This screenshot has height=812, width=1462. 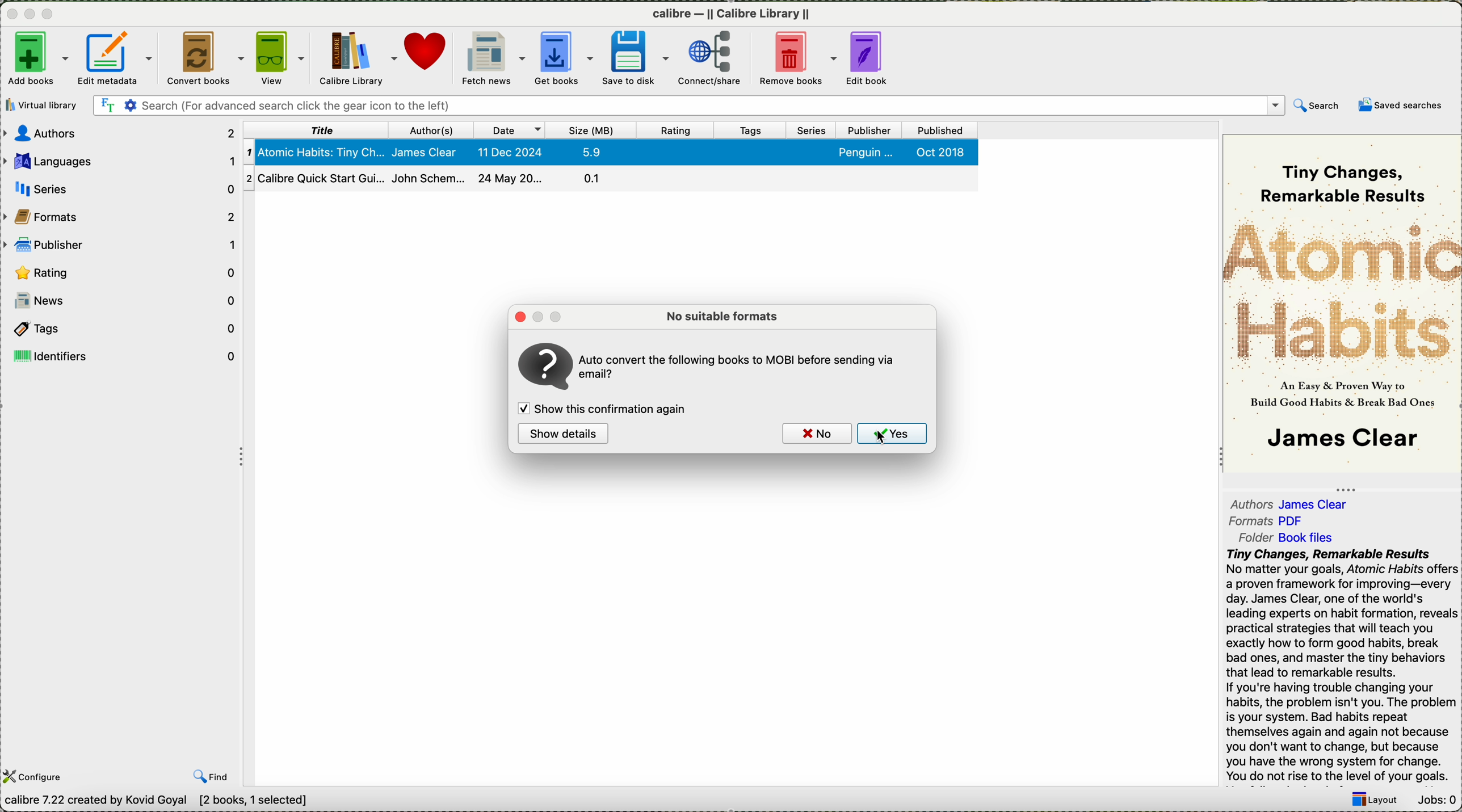 What do you see at coordinates (120, 133) in the screenshot?
I see `authors` at bounding box center [120, 133].